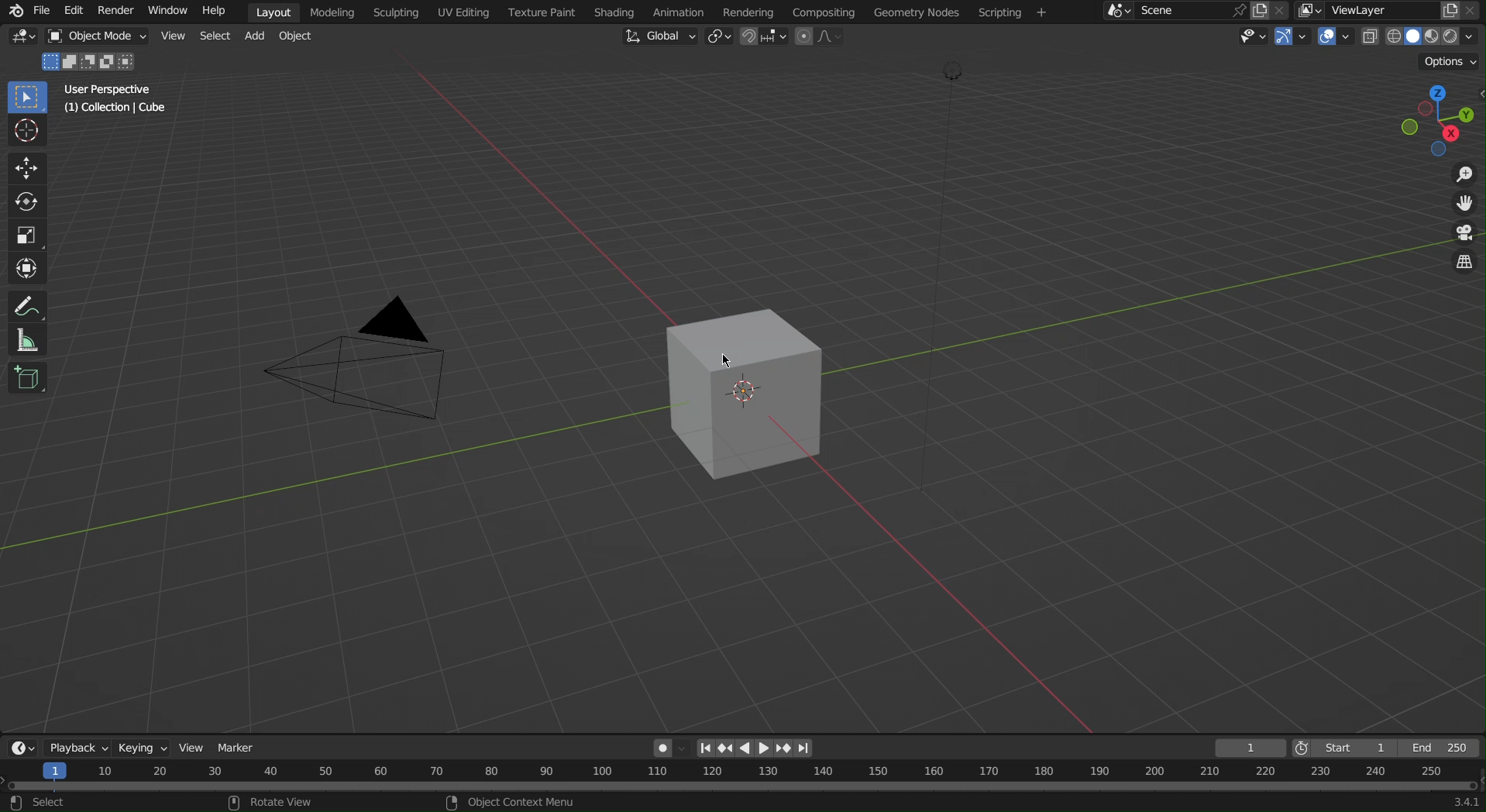  Describe the element at coordinates (717, 39) in the screenshot. I see `Transform Pivot Point` at that location.